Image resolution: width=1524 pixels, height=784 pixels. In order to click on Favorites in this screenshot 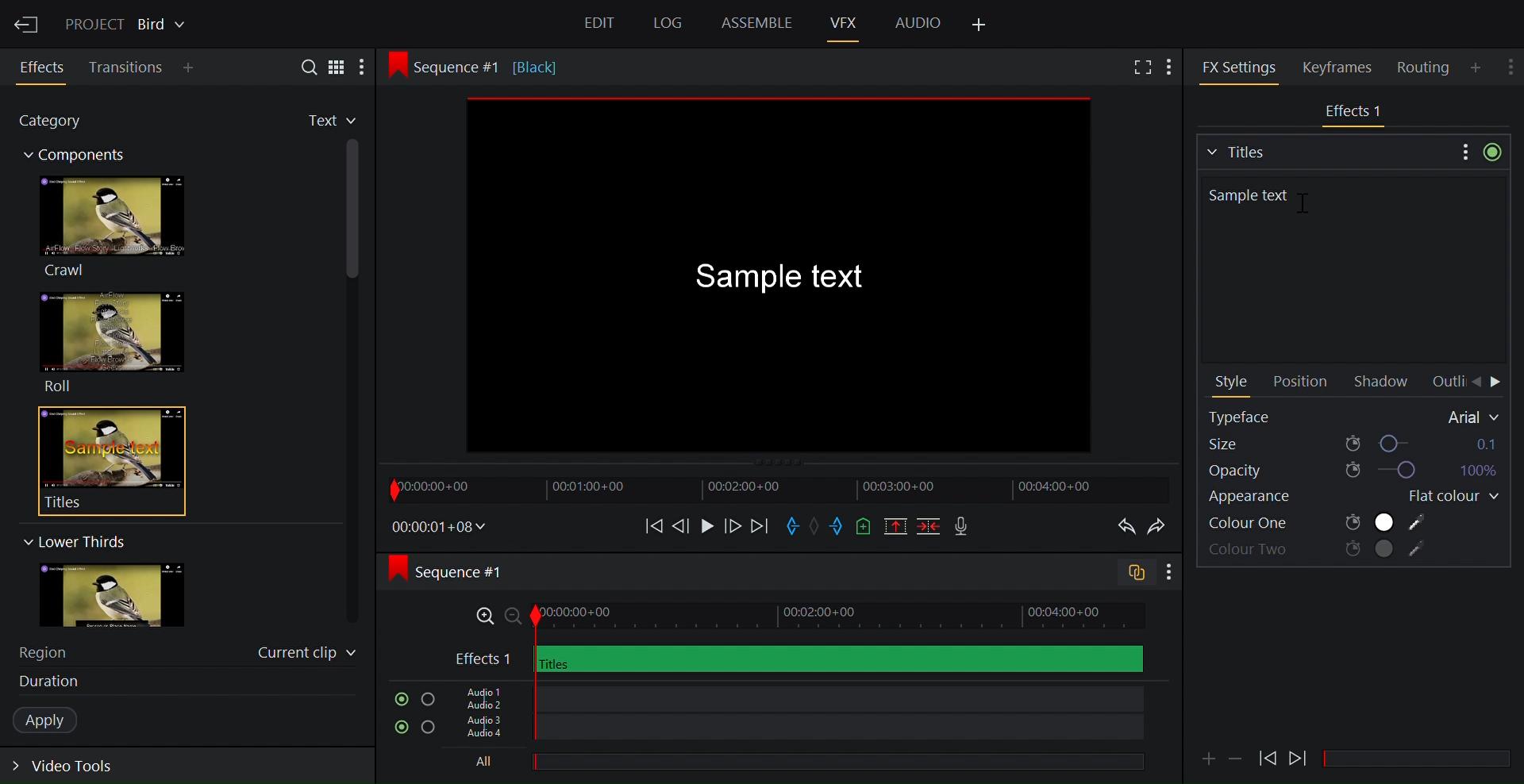, I will do `click(318, 121)`.